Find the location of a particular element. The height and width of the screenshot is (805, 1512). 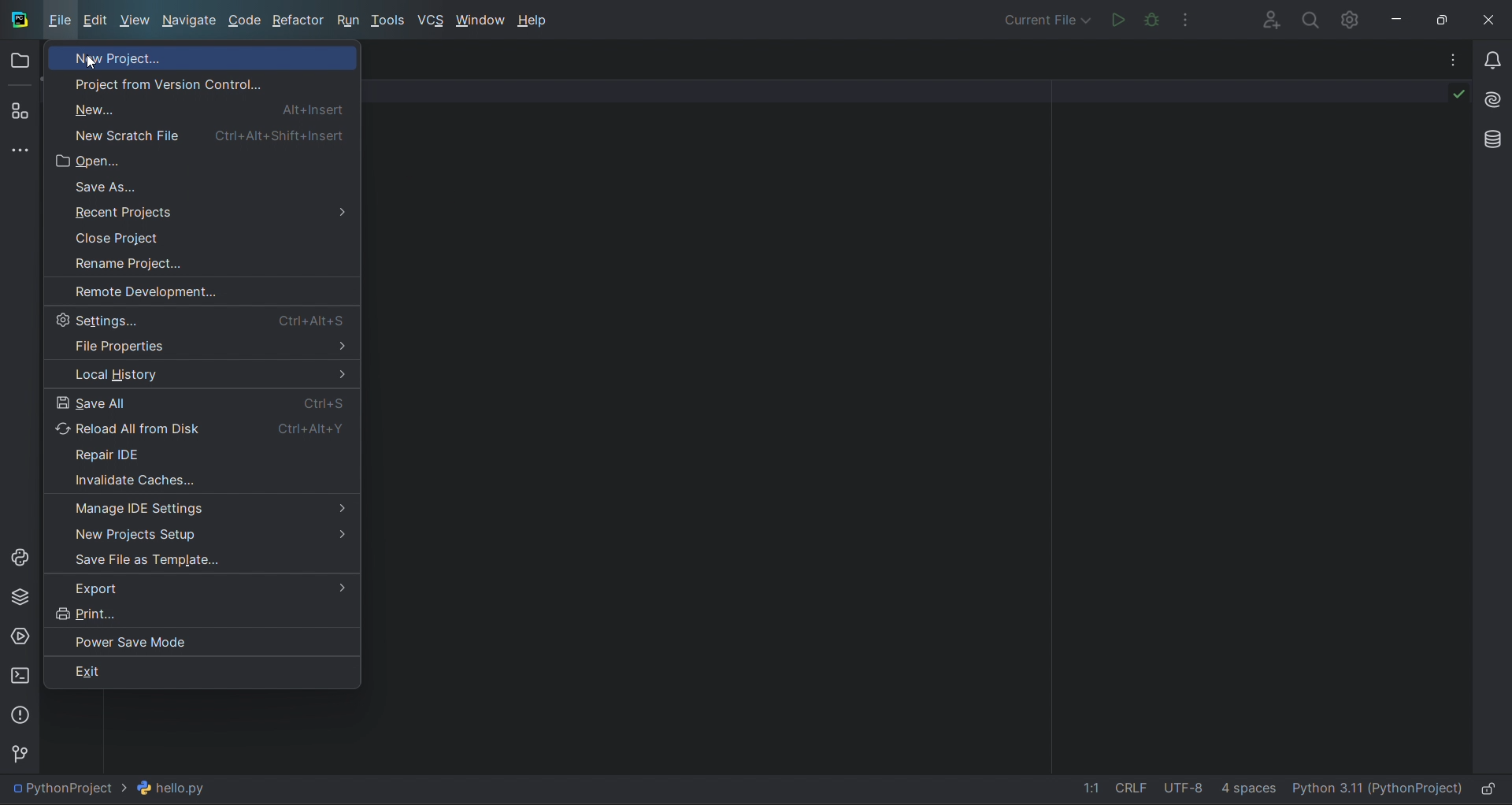

power save mod is located at coordinates (202, 639).